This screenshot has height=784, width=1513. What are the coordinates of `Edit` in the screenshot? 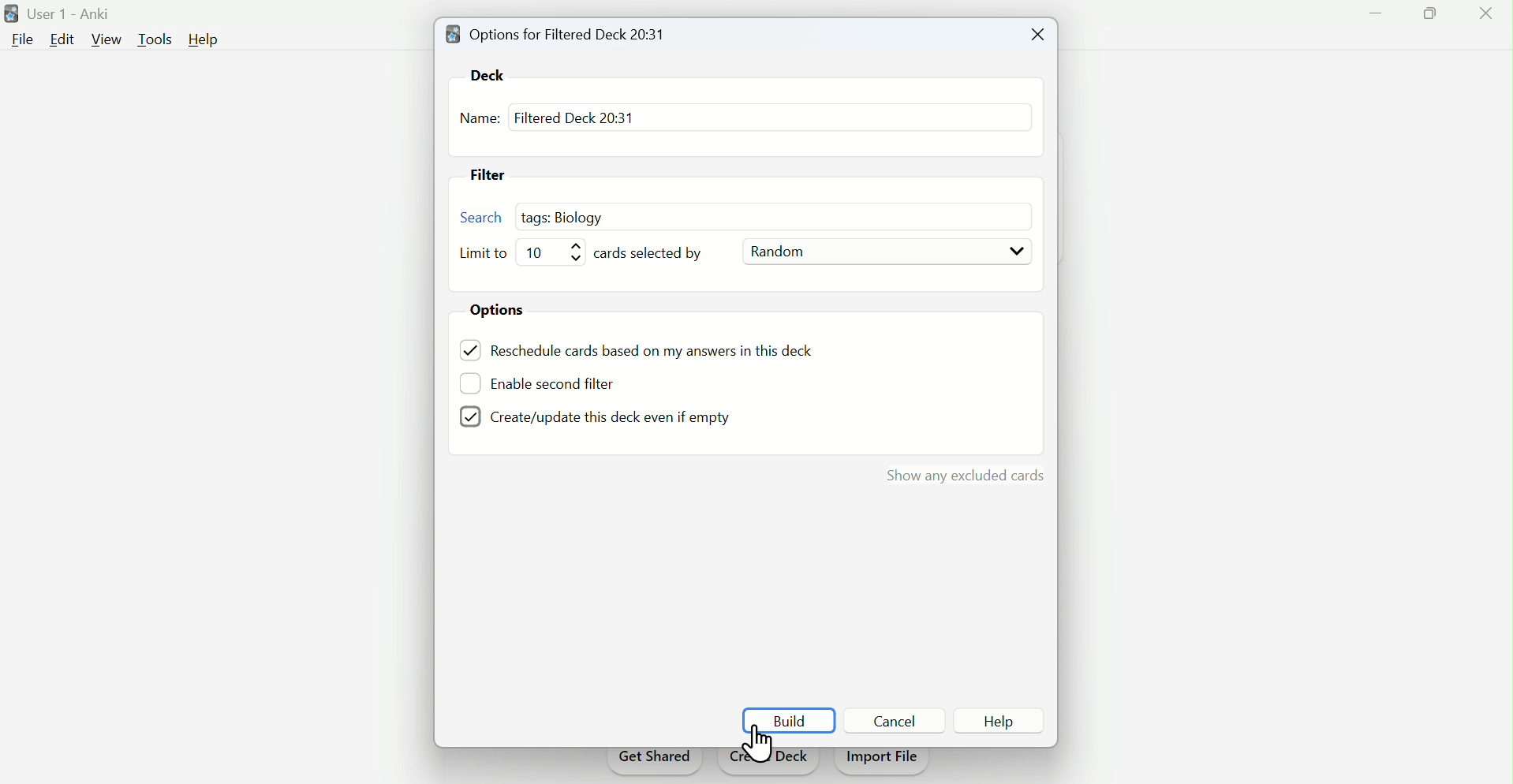 It's located at (61, 39).